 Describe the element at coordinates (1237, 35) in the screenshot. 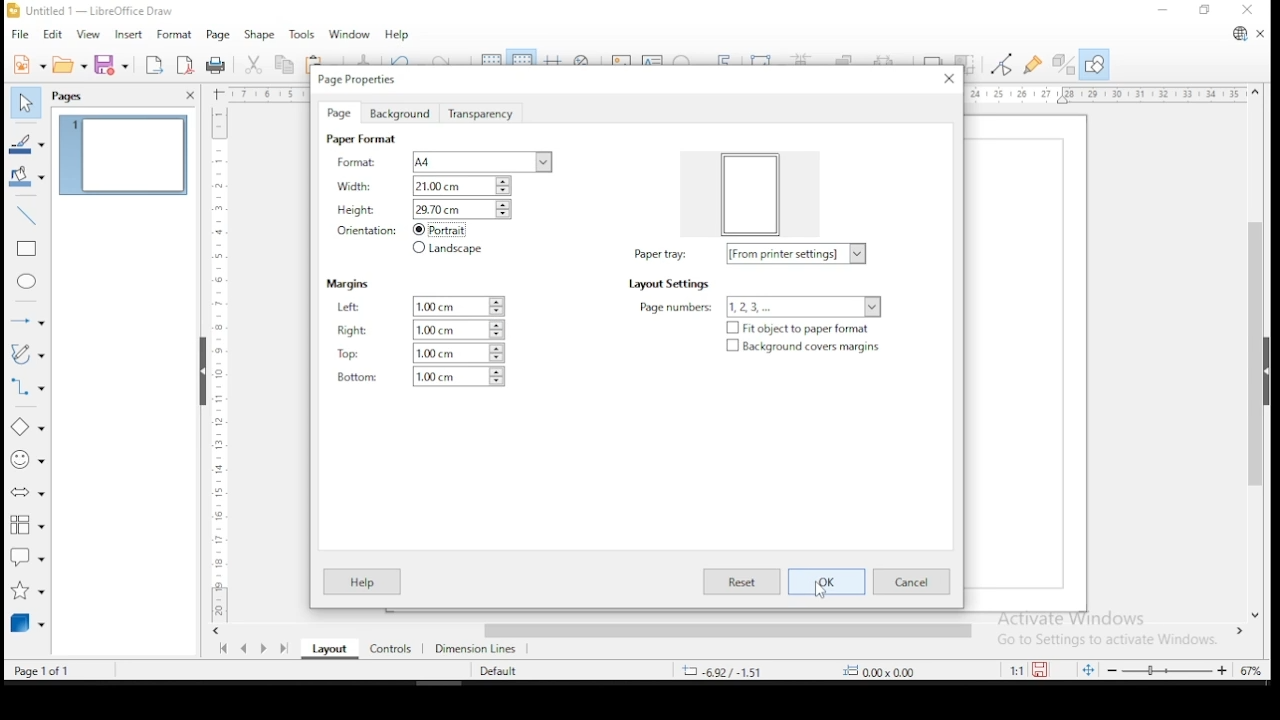

I see `libreoffice update` at that location.